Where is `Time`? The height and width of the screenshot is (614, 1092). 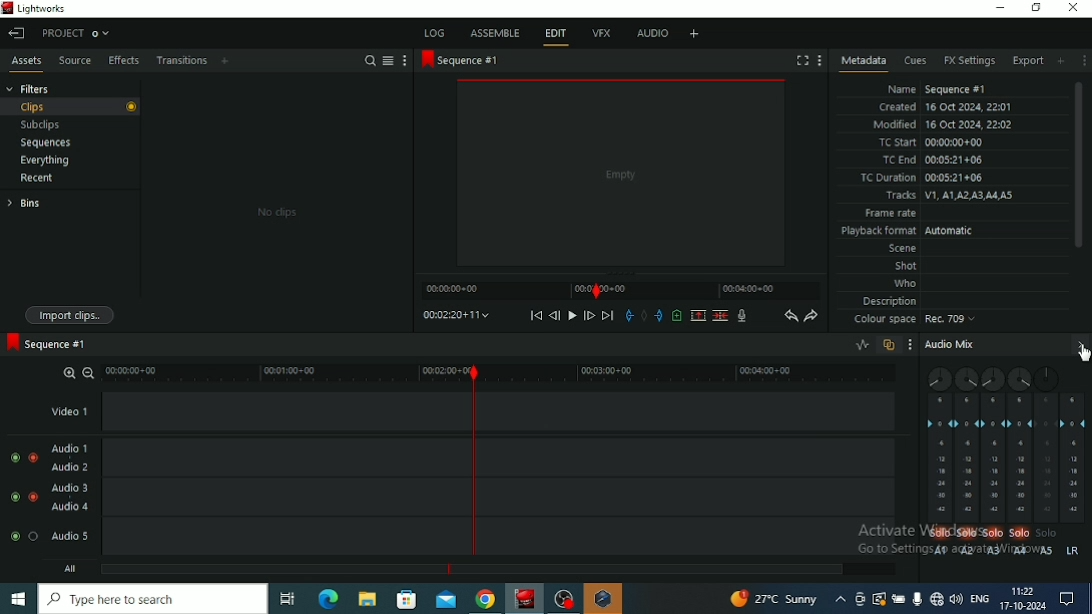 Time is located at coordinates (1023, 590).